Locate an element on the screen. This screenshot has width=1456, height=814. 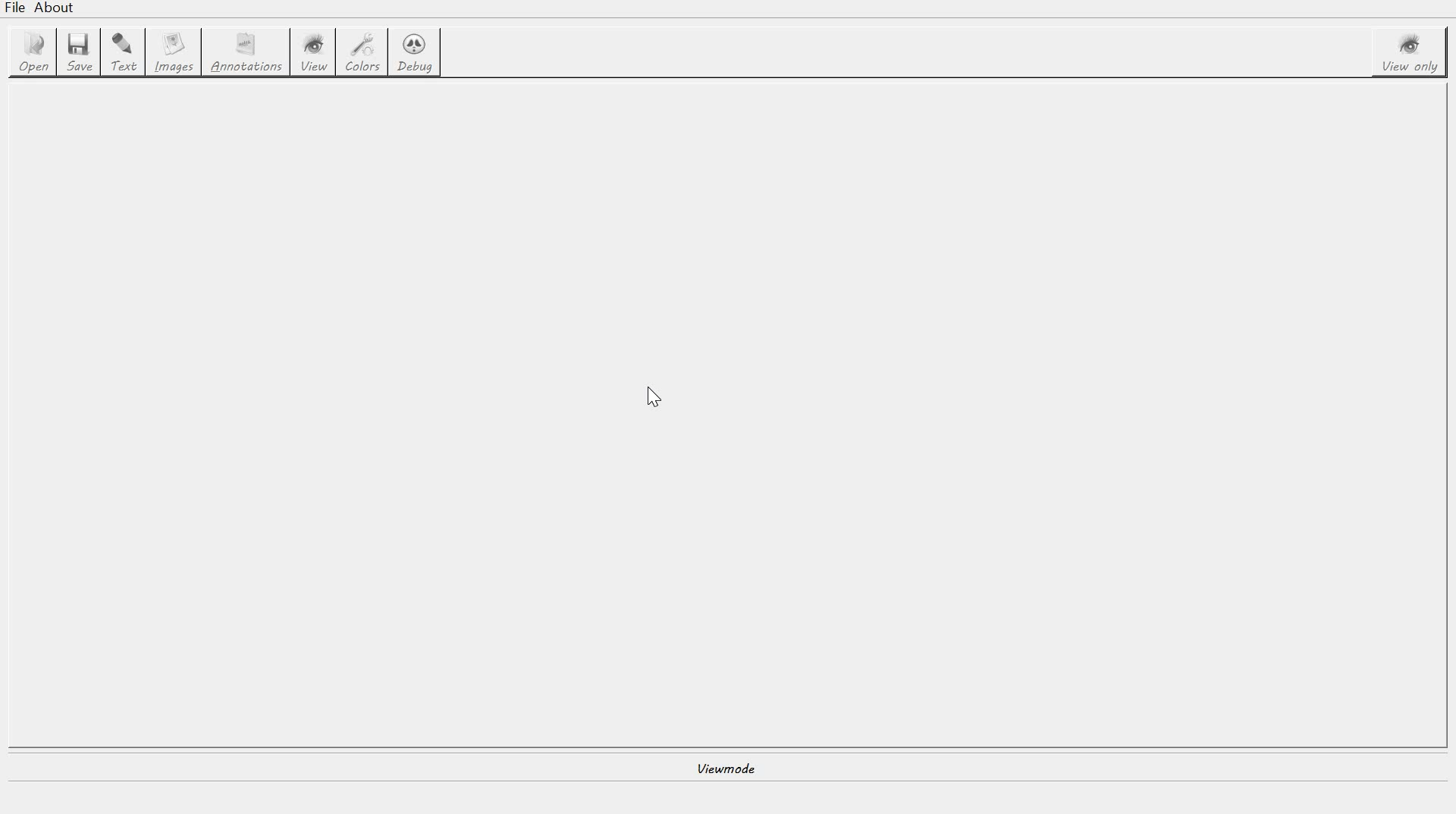
debug is located at coordinates (415, 54).